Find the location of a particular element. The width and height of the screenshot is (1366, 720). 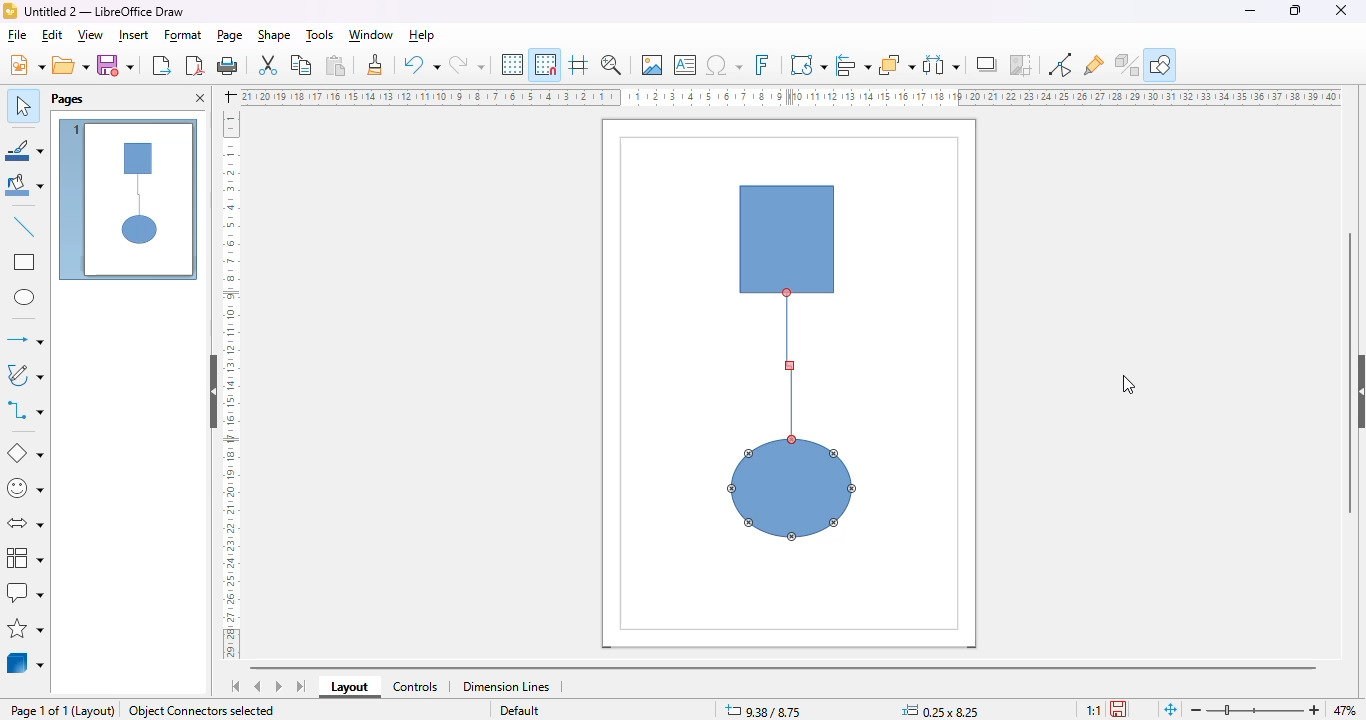

fill color is located at coordinates (25, 187).